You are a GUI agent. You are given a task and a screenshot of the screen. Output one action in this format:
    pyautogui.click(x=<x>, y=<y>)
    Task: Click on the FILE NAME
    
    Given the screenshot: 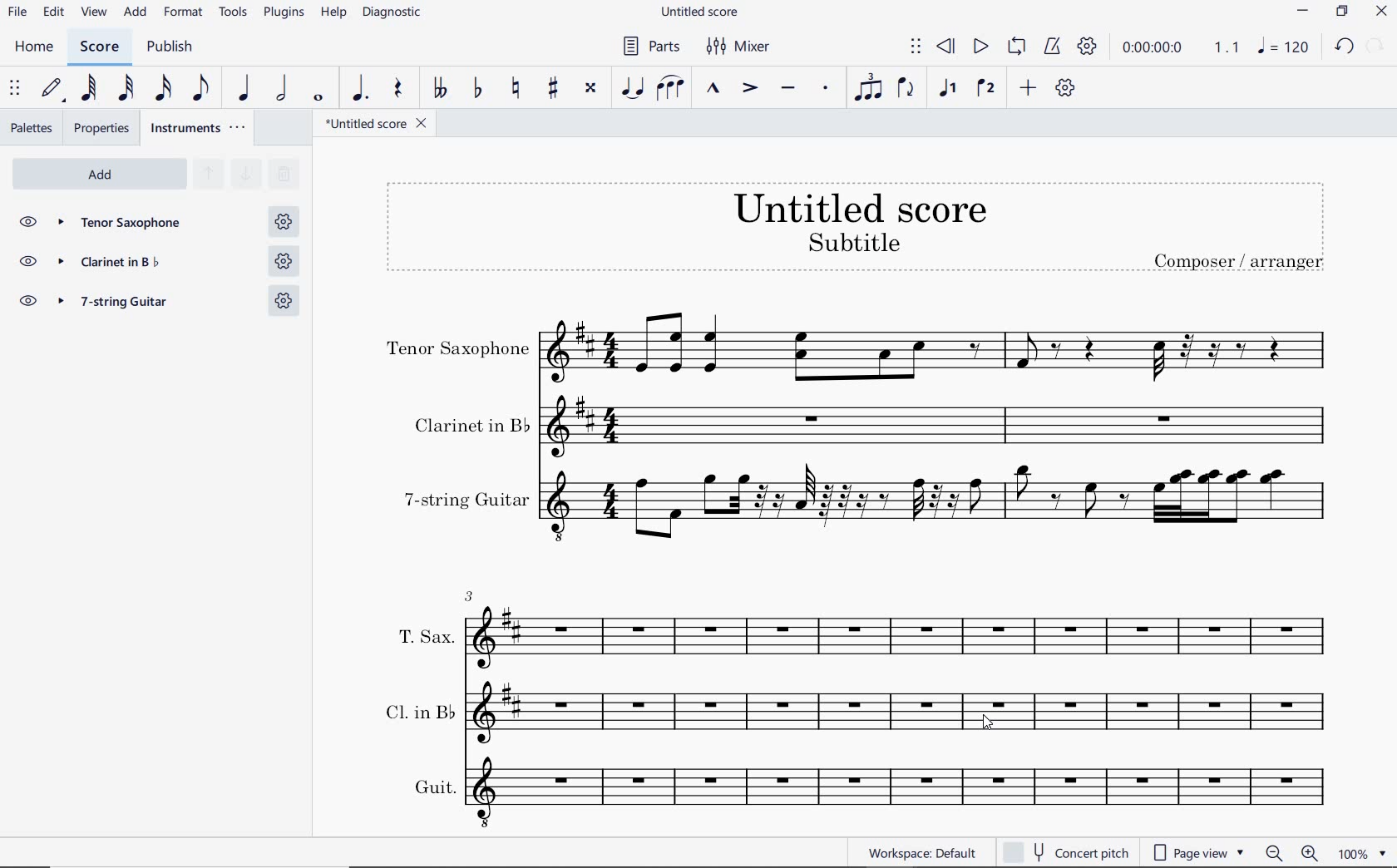 What is the action you would take?
    pyautogui.click(x=370, y=126)
    